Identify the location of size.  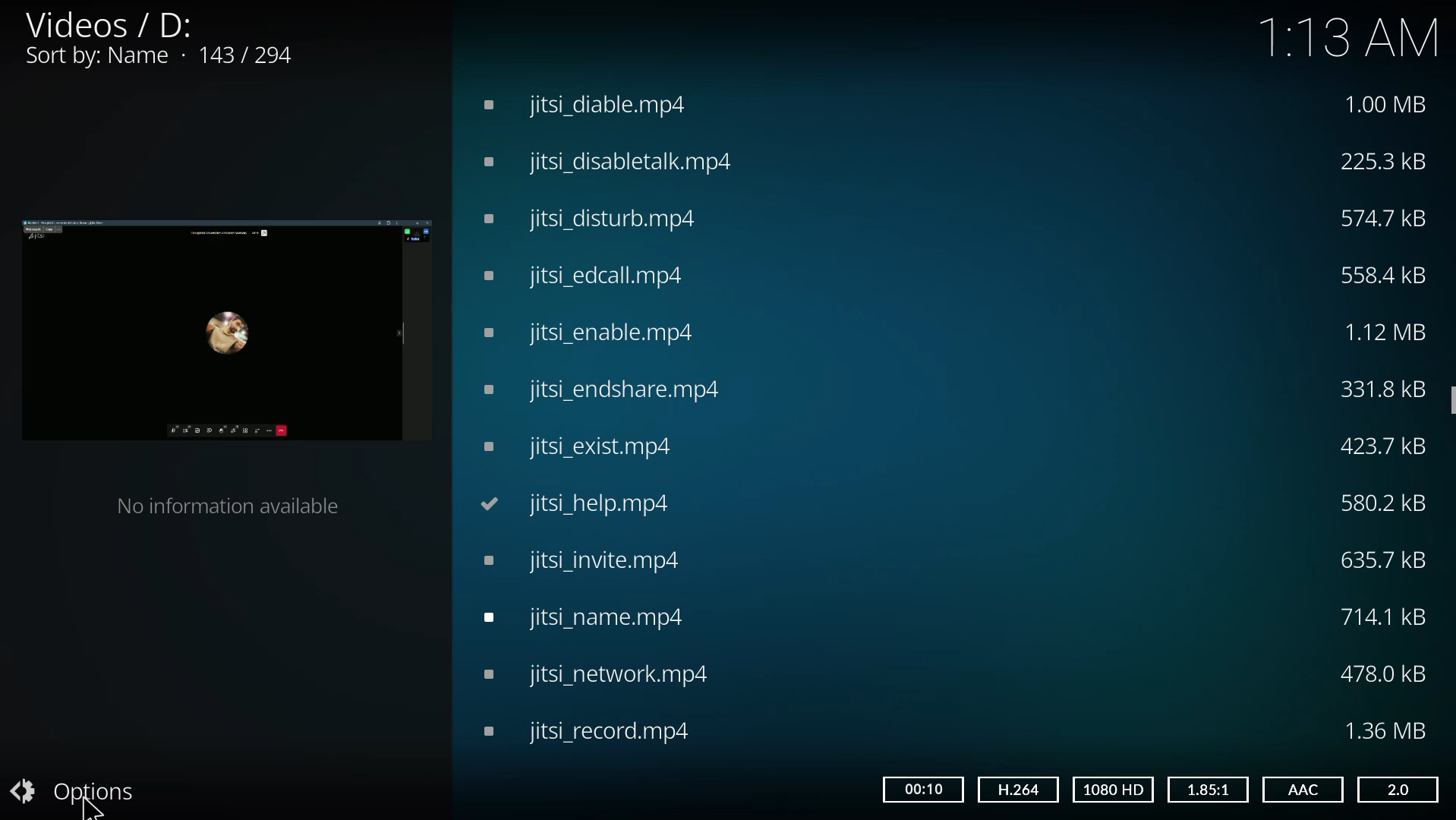
(1384, 618).